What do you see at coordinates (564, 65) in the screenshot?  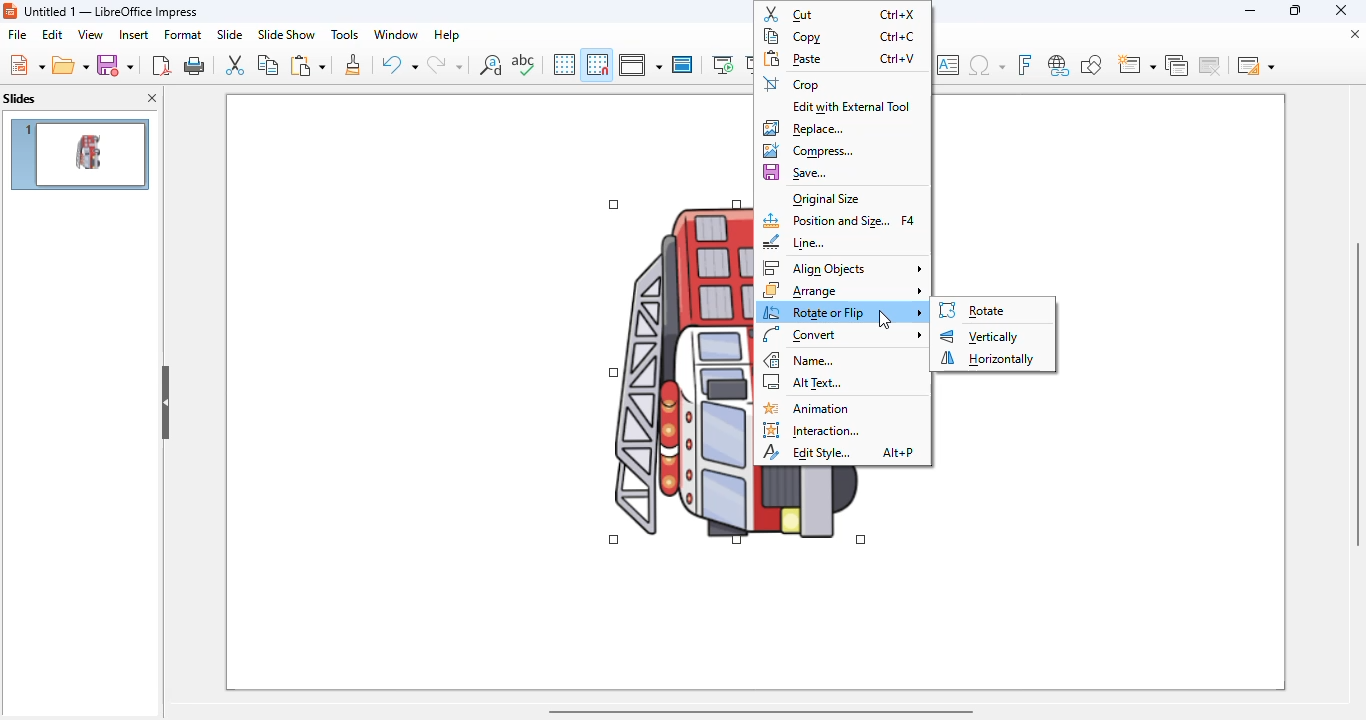 I see `display grid` at bounding box center [564, 65].